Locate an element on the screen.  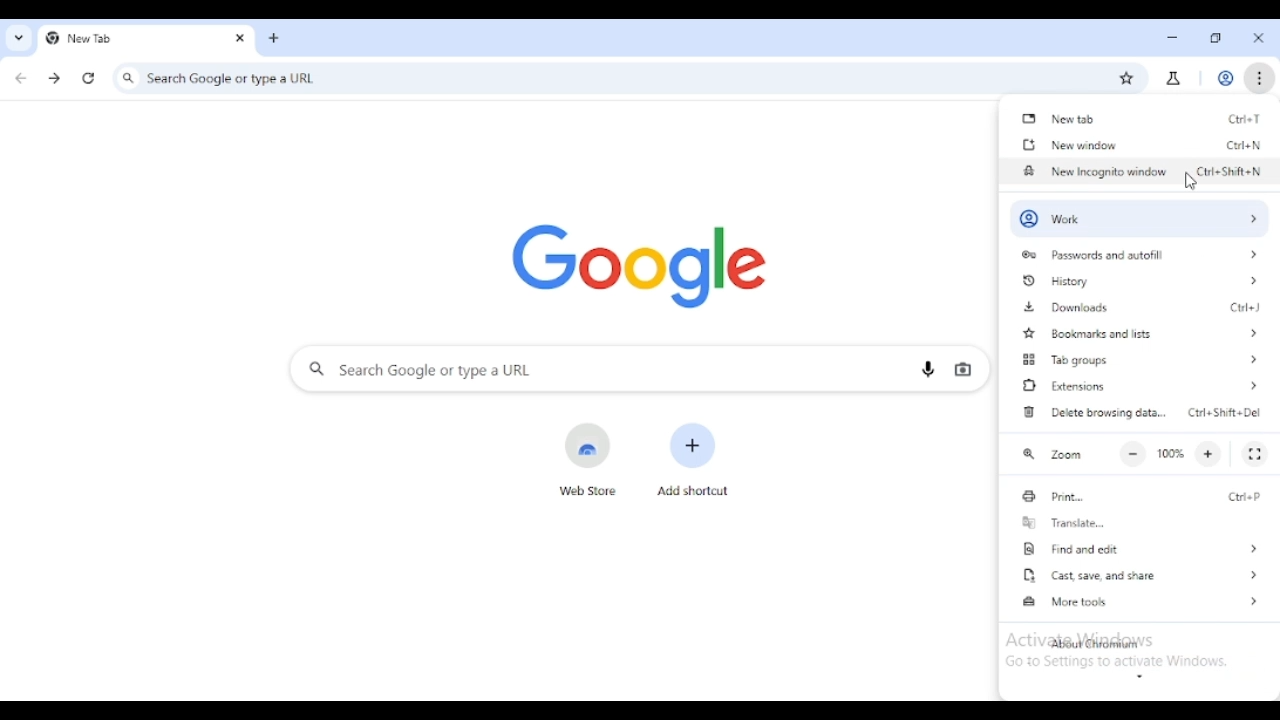
reload this page is located at coordinates (88, 78).